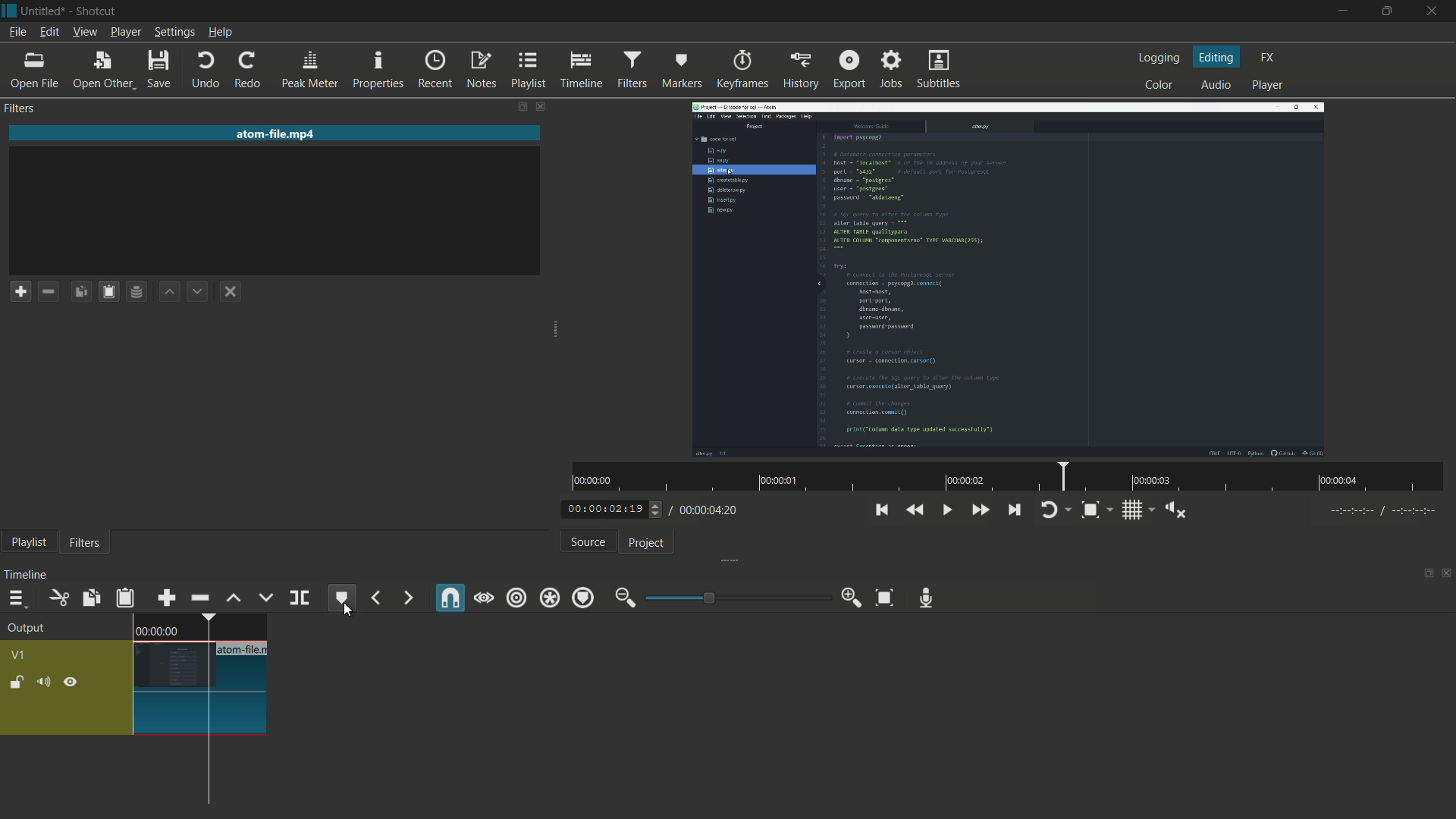 This screenshot has width=1456, height=819. Describe the element at coordinates (1090, 510) in the screenshot. I see `toggle zoom` at that location.